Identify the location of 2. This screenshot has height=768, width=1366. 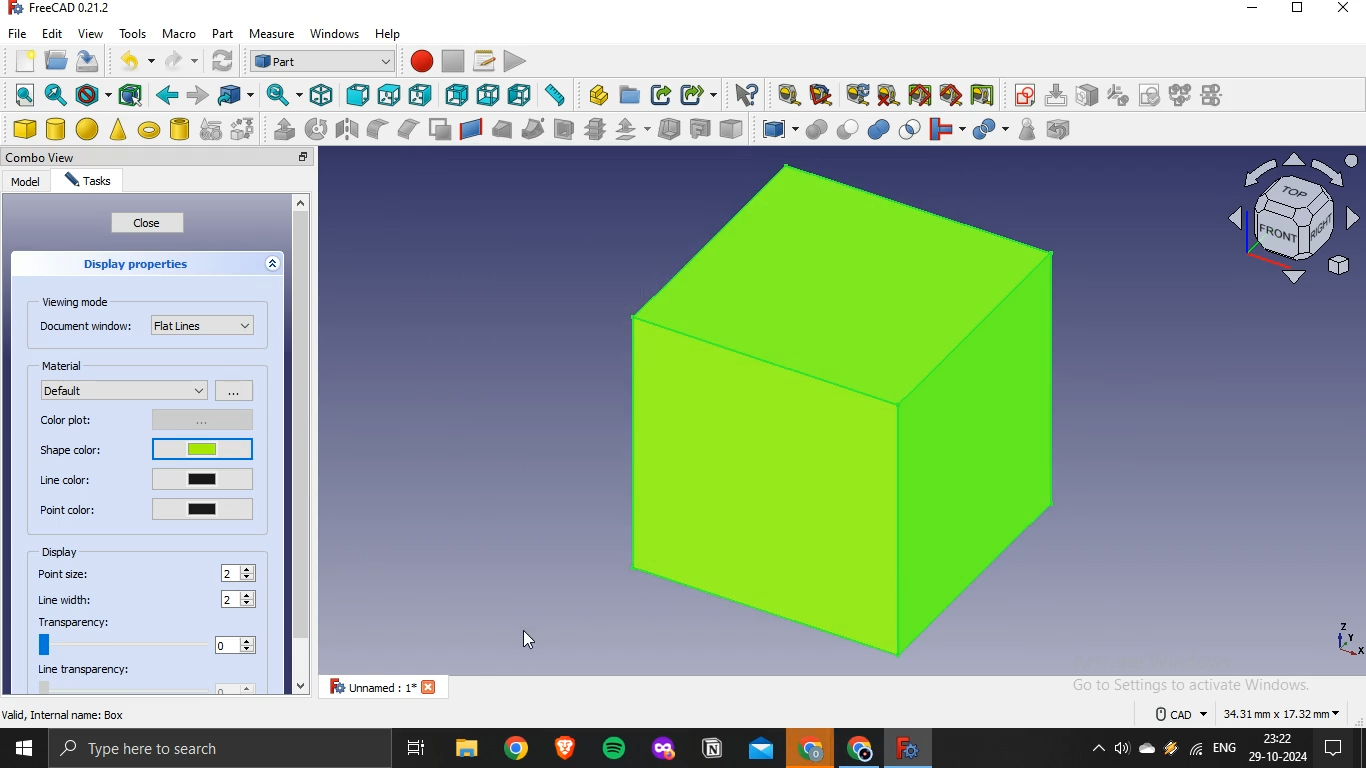
(240, 600).